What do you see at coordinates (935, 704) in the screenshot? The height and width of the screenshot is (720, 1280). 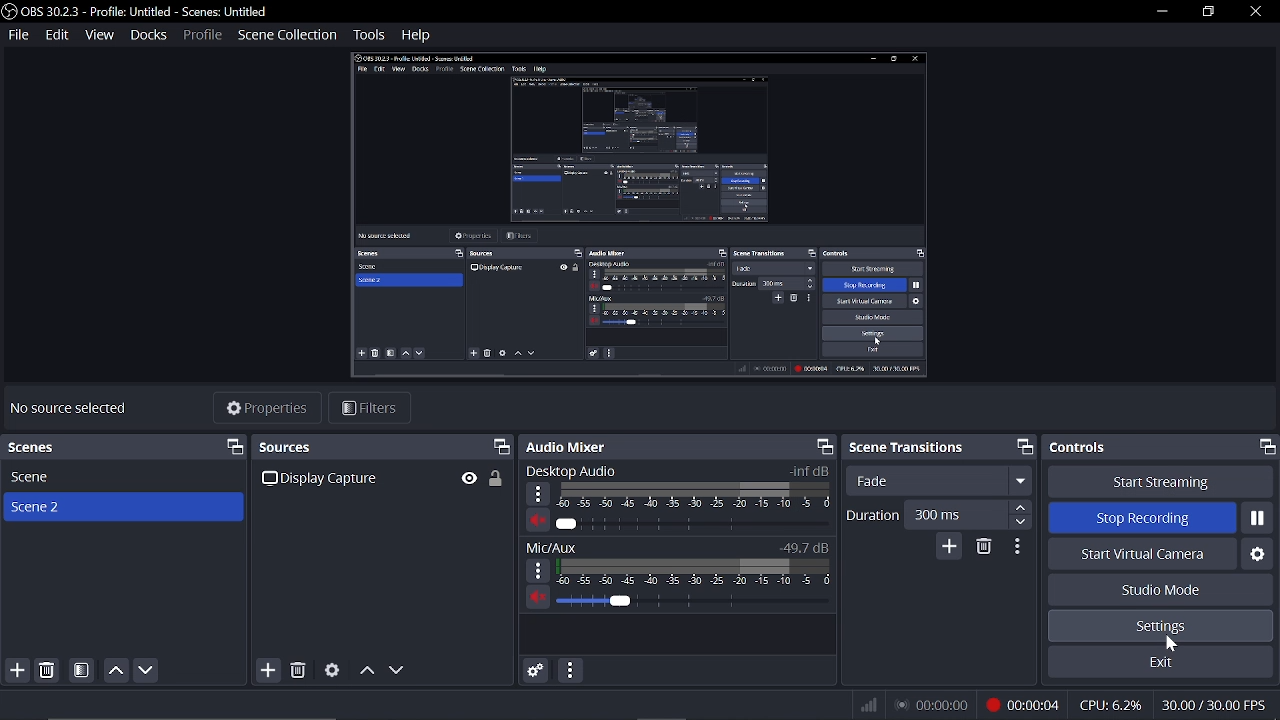 I see `00:00:00` at bounding box center [935, 704].